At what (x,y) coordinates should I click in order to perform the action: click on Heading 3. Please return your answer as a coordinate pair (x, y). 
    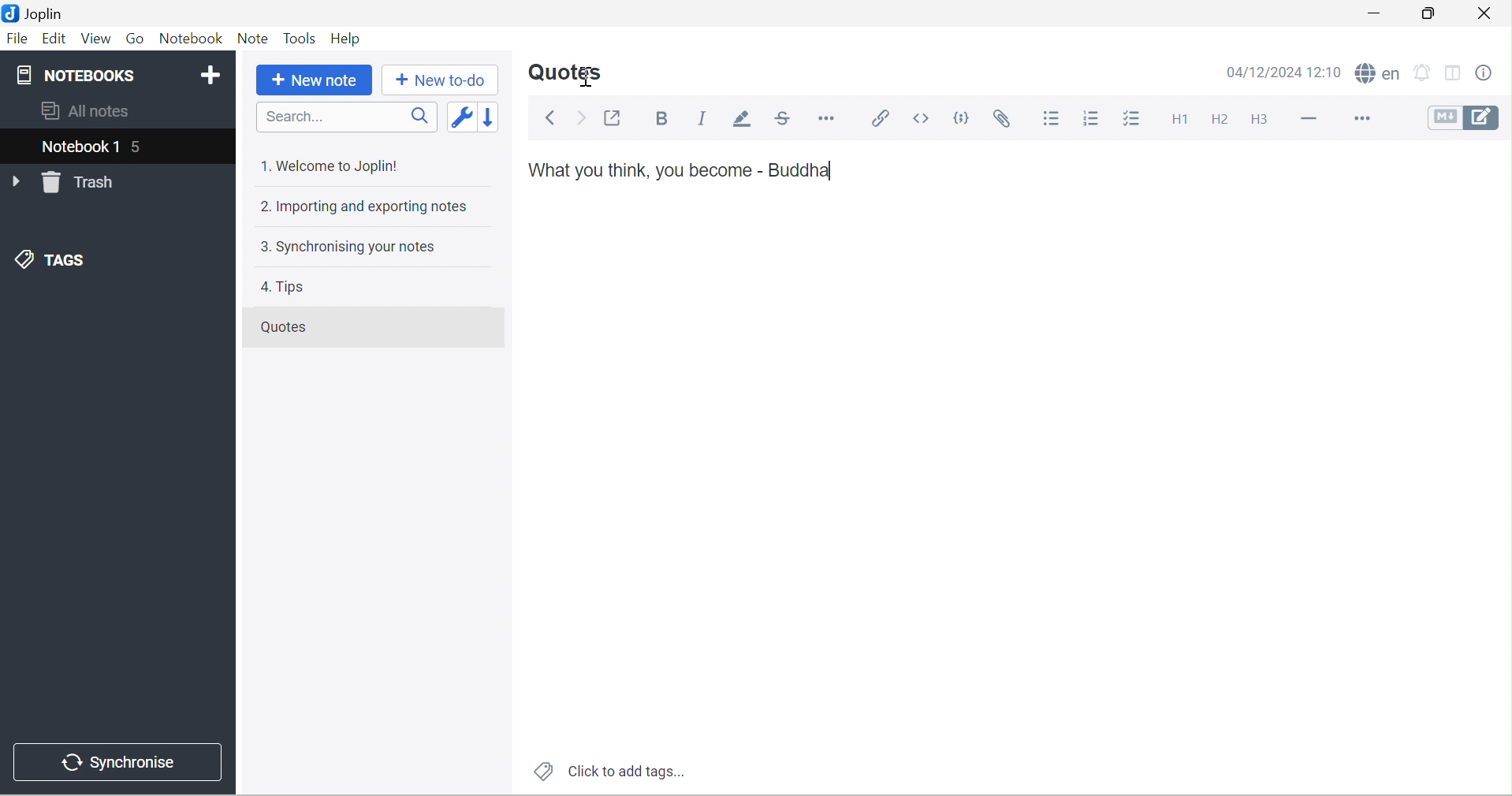
    Looking at the image, I should click on (1257, 120).